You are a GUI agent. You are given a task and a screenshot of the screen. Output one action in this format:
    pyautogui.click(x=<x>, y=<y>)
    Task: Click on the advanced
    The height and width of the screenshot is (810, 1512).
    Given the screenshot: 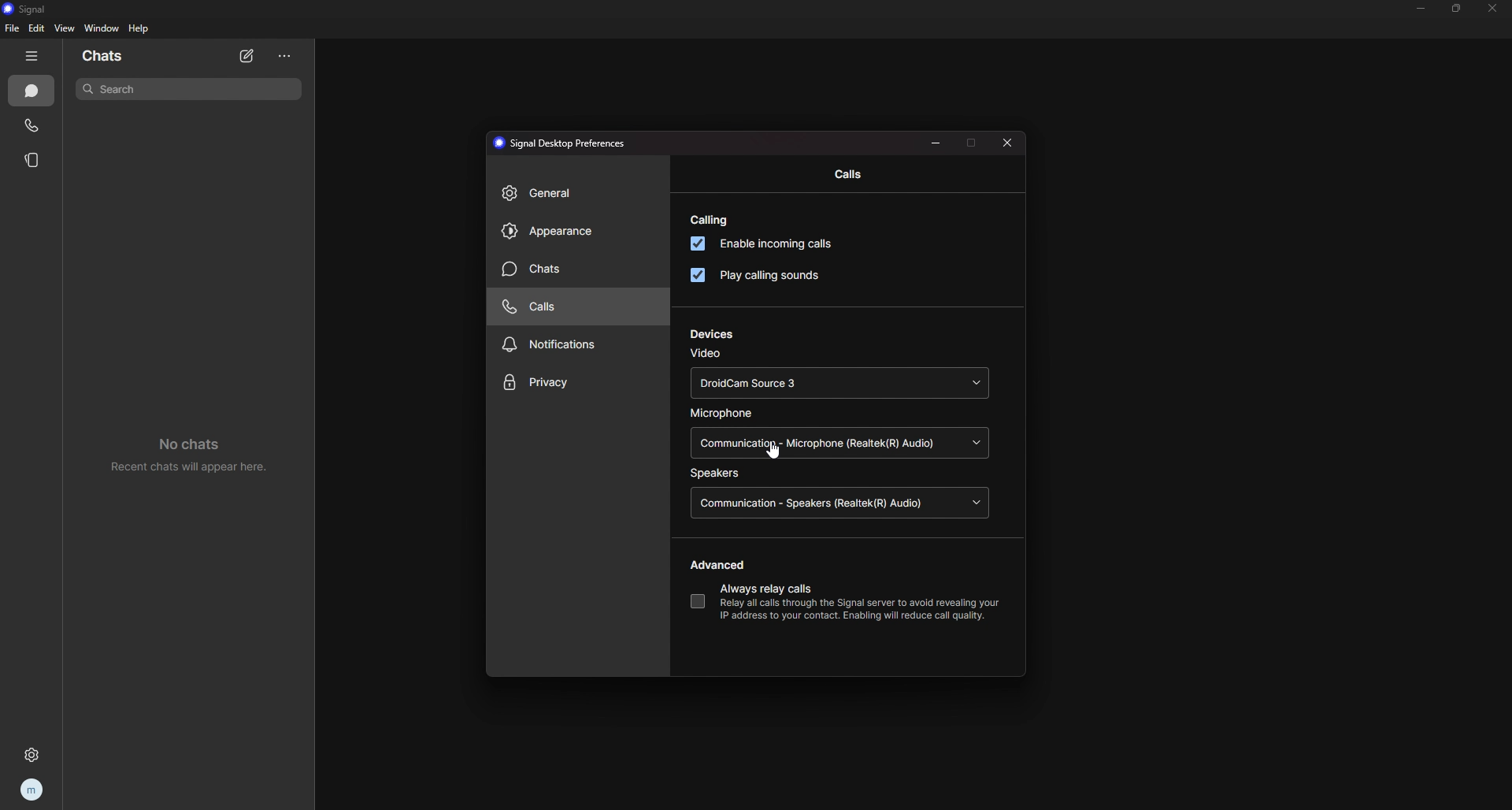 What is the action you would take?
    pyautogui.click(x=721, y=565)
    